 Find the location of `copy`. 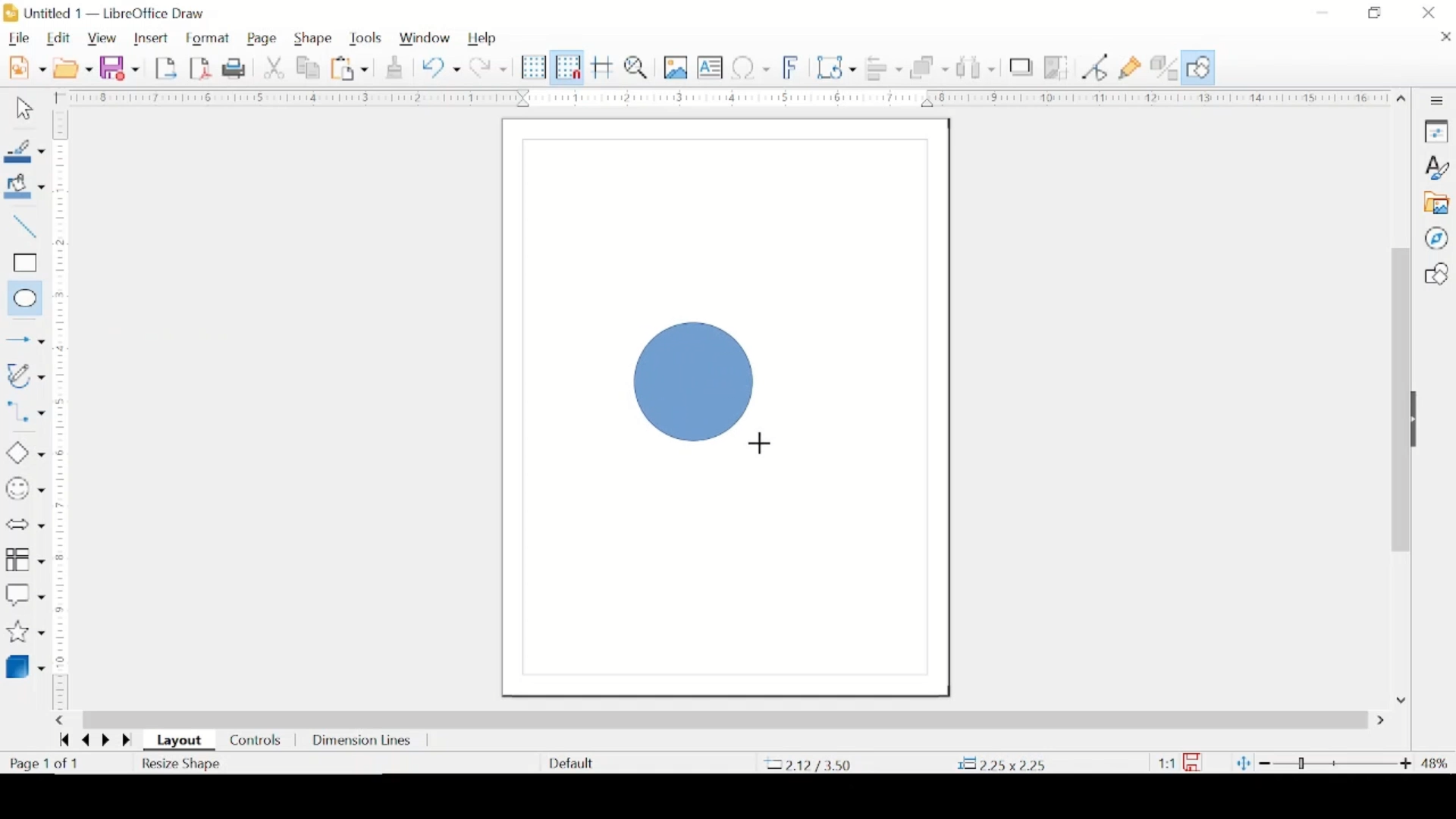

copy is located at coordinates (309, 67).